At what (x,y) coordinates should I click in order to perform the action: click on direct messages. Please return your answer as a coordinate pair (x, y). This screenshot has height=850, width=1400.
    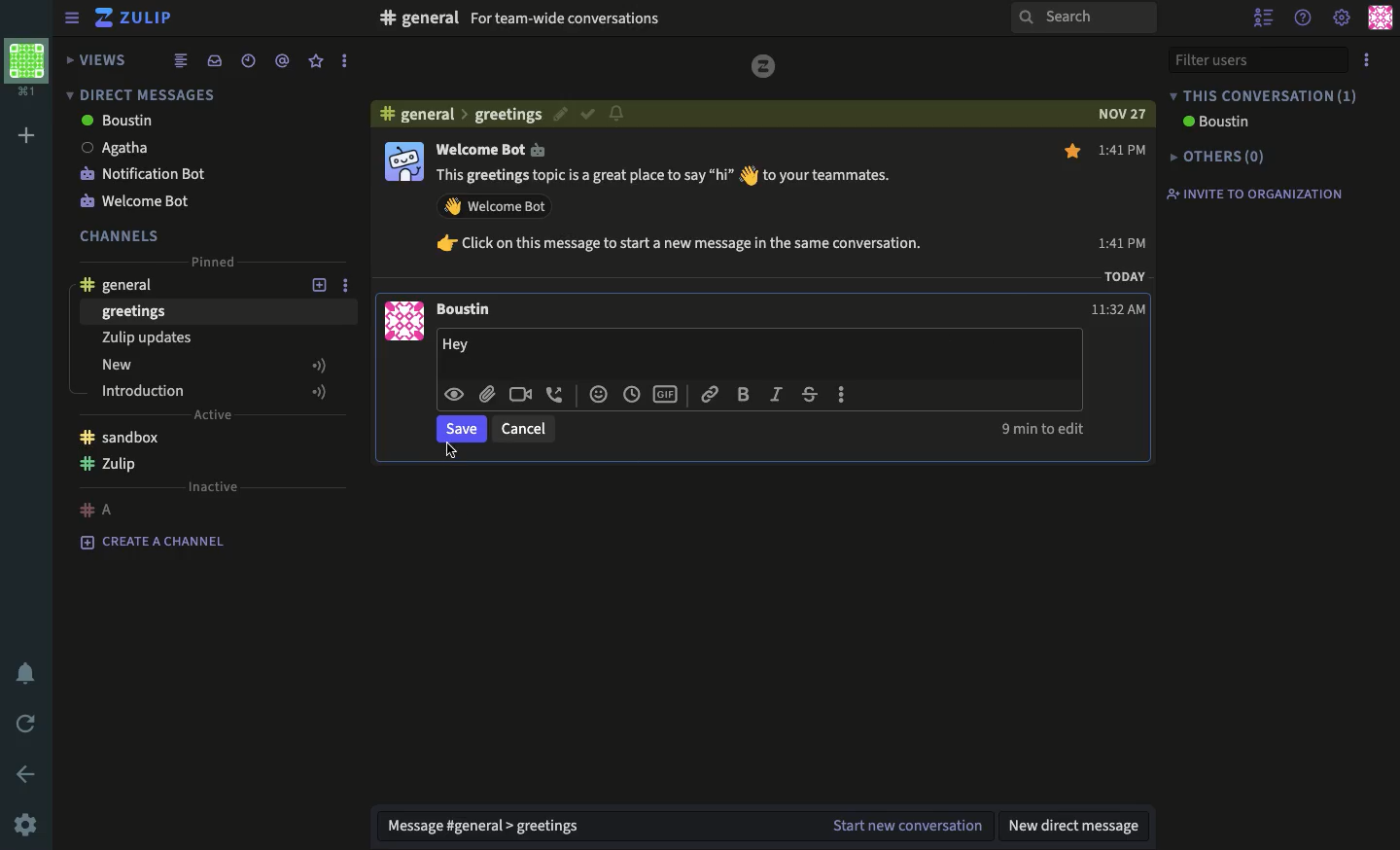
    Looking at the image, I should click on (143, 92).